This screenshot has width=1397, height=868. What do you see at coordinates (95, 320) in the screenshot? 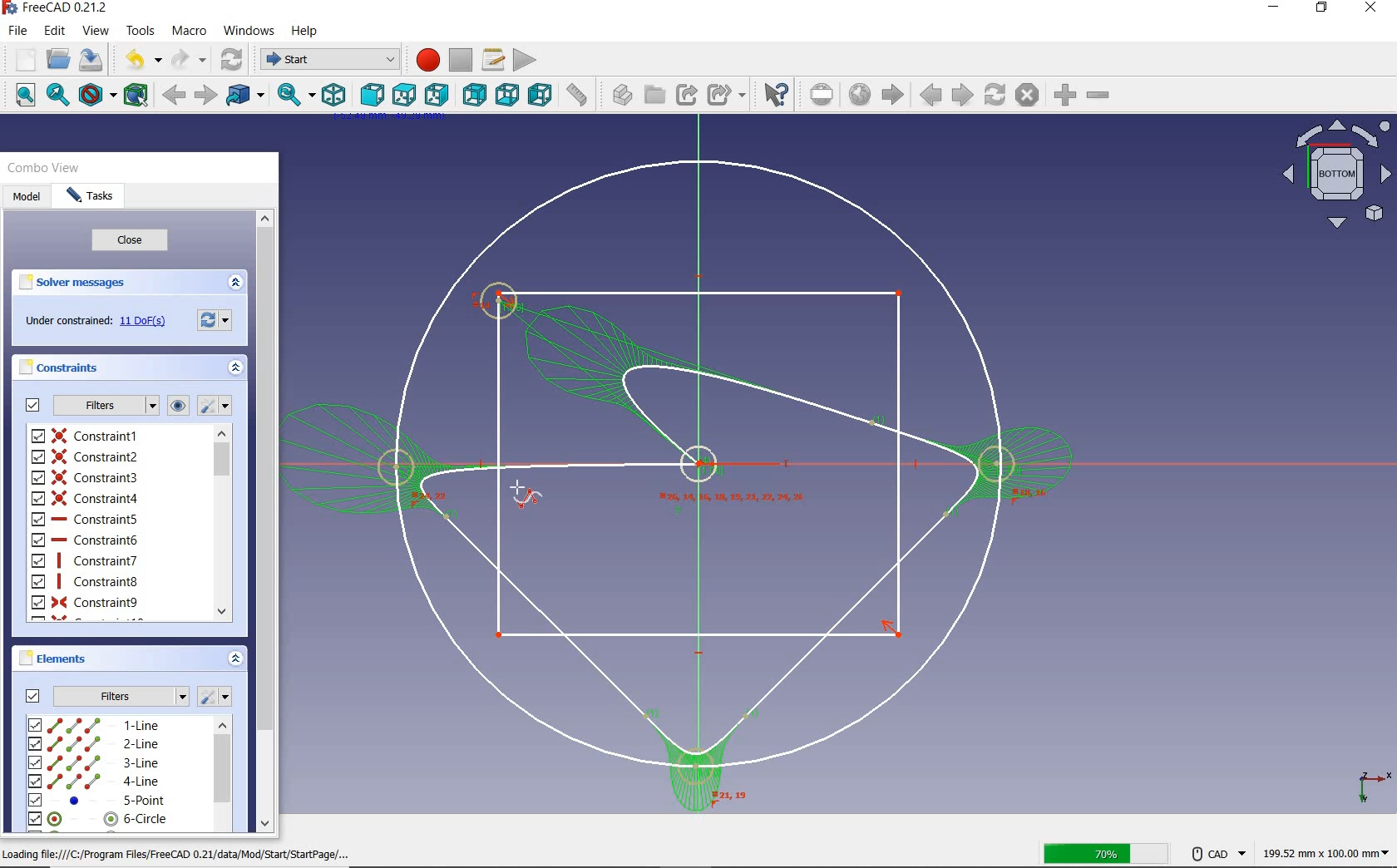
I see `under constrained` at bounding box center [95, 320].